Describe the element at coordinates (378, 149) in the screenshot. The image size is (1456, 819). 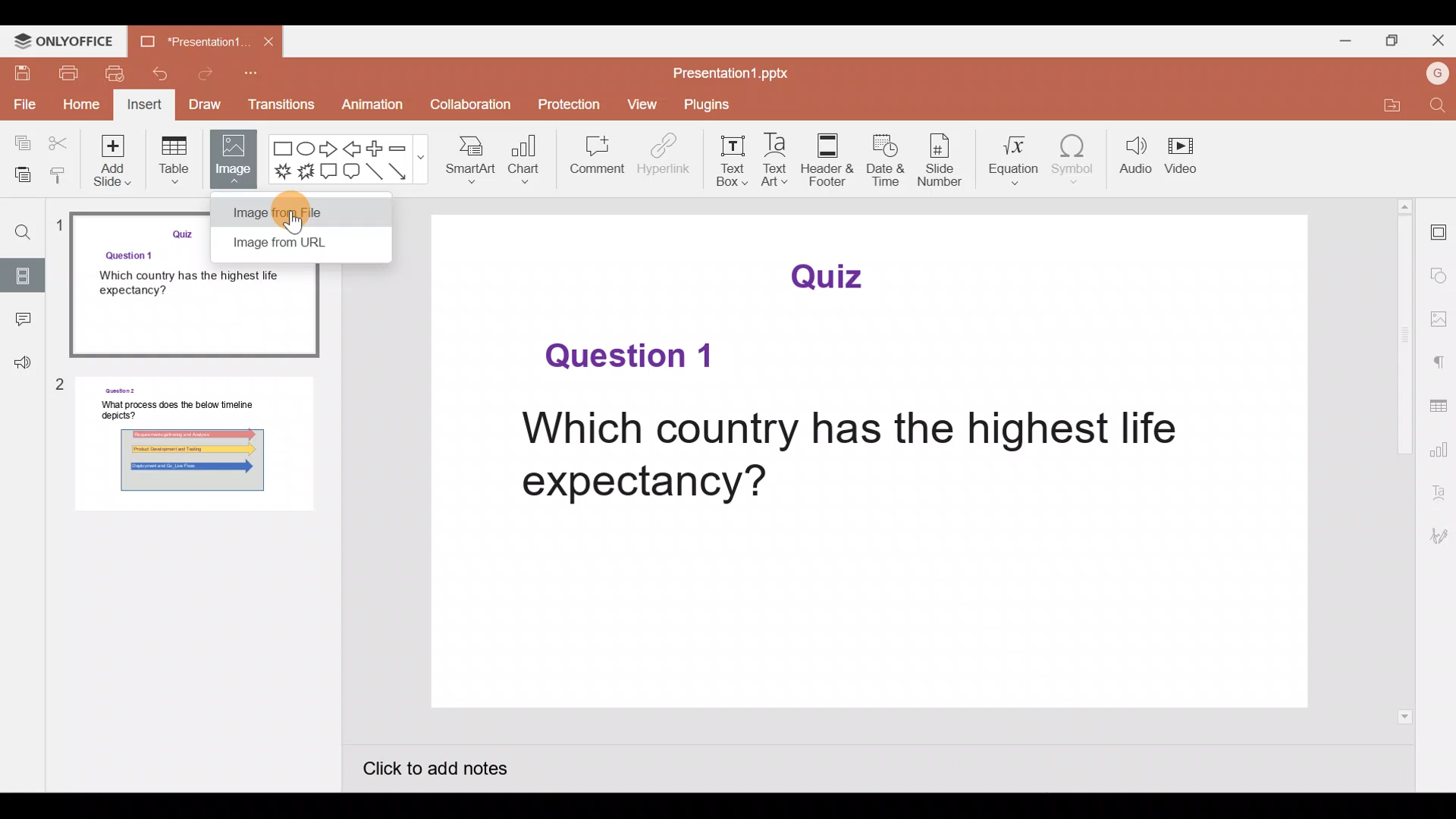
I see `Plus` at that location.